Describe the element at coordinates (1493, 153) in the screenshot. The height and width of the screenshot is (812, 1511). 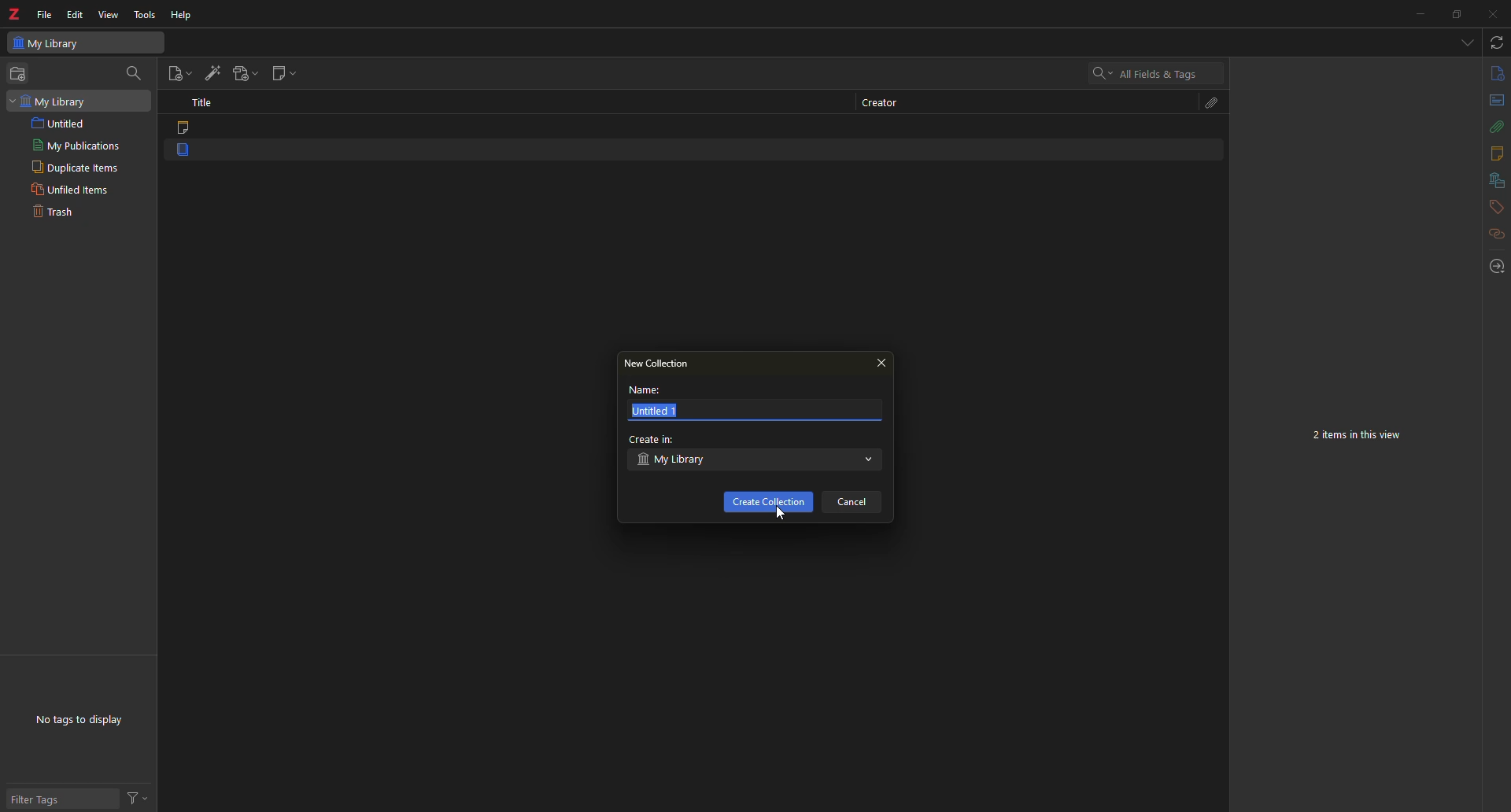
I see `notes` at that location.